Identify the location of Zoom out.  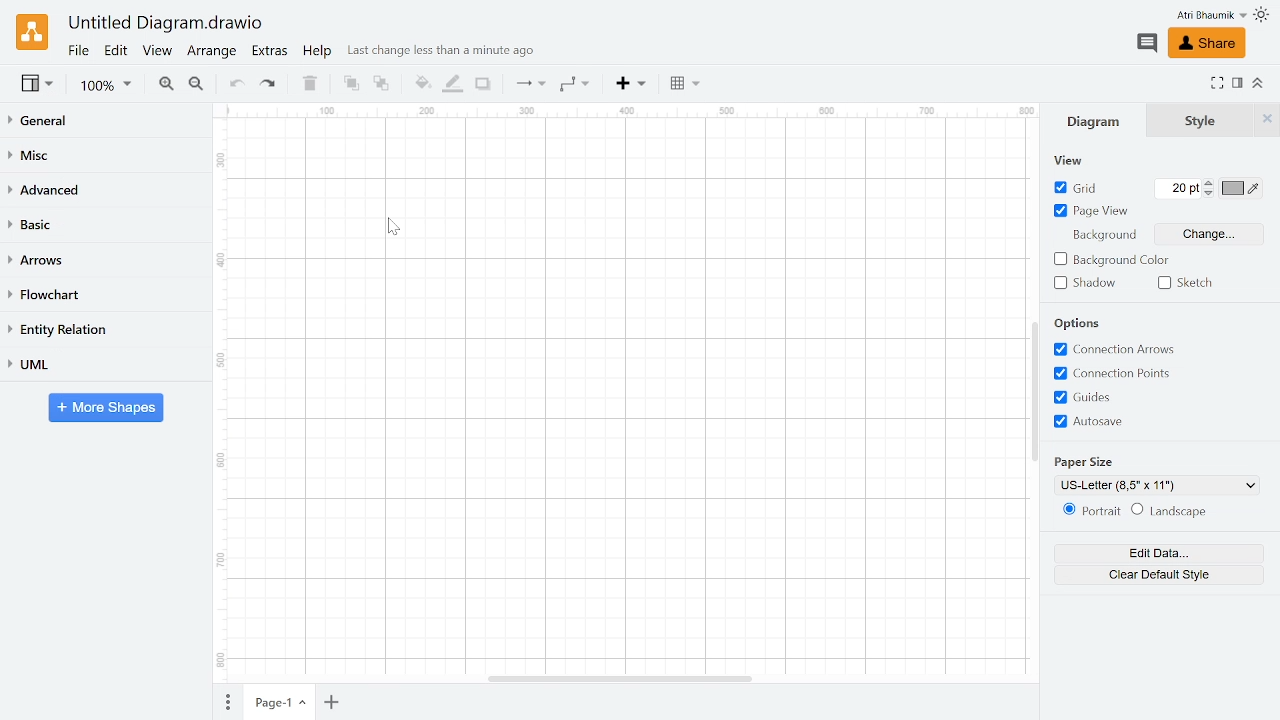
(198, 85).